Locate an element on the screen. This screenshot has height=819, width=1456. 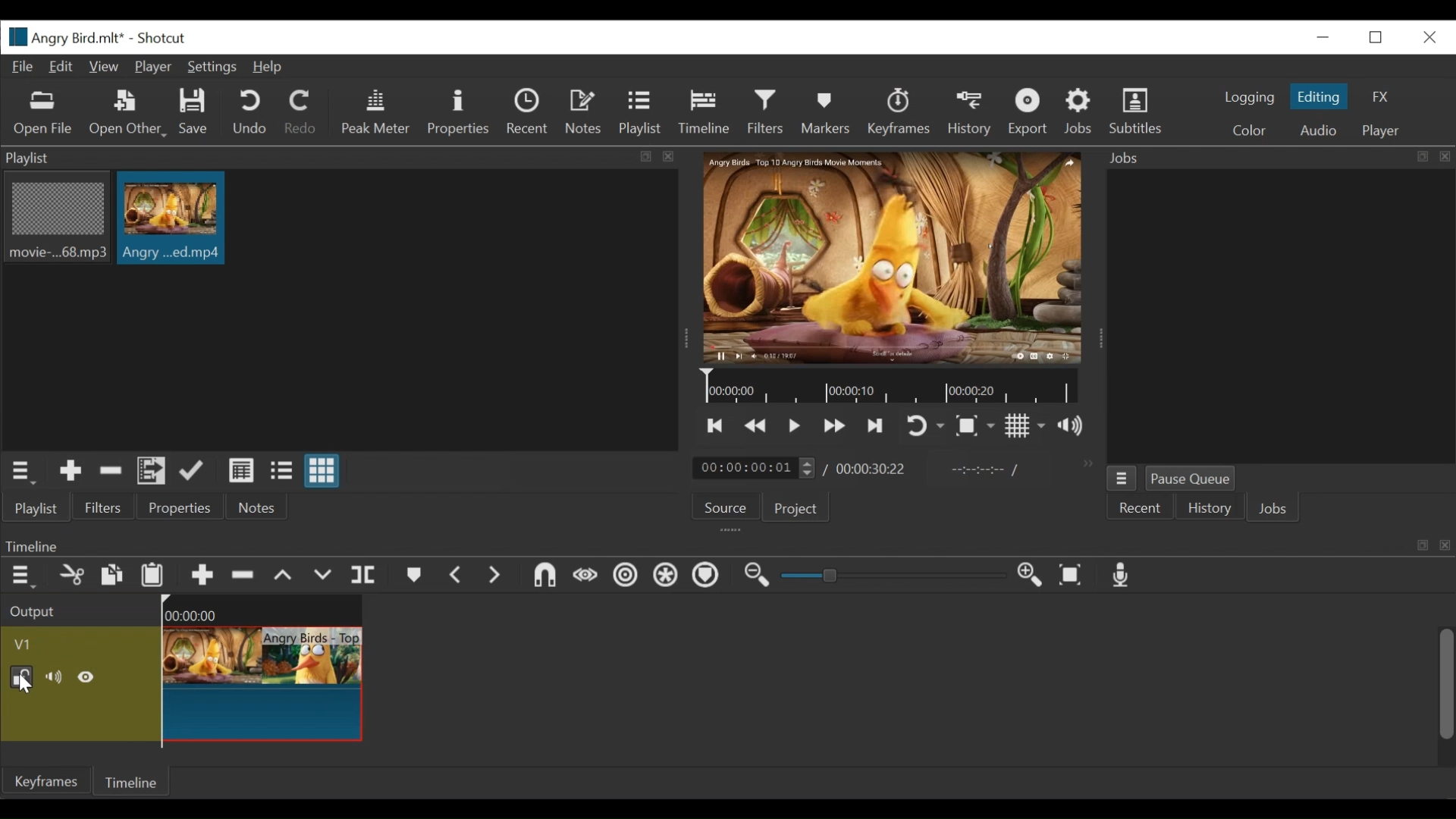
Timeline is located at coordinates (133, 780).